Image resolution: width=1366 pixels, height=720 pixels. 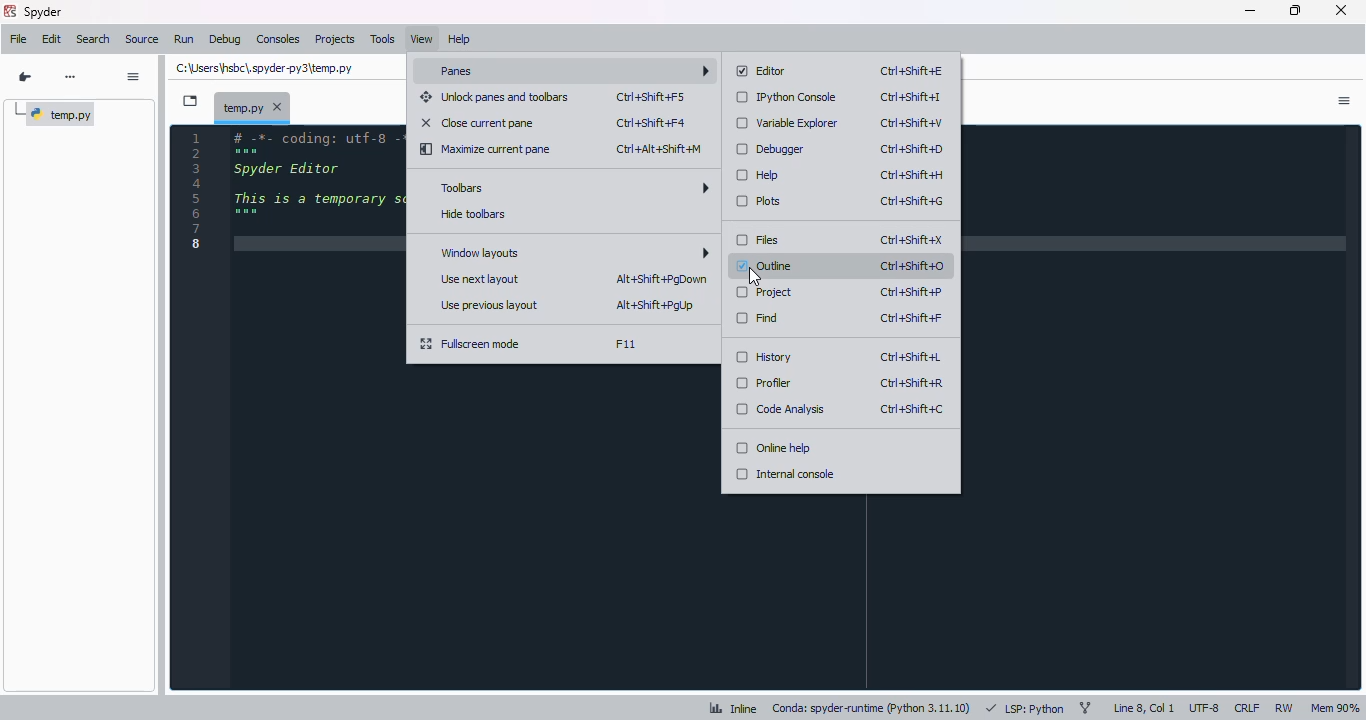 What do you see at coordinates (788, 123) in the screenshot?
I see `variable explorer` at bounding box center [788, 123].